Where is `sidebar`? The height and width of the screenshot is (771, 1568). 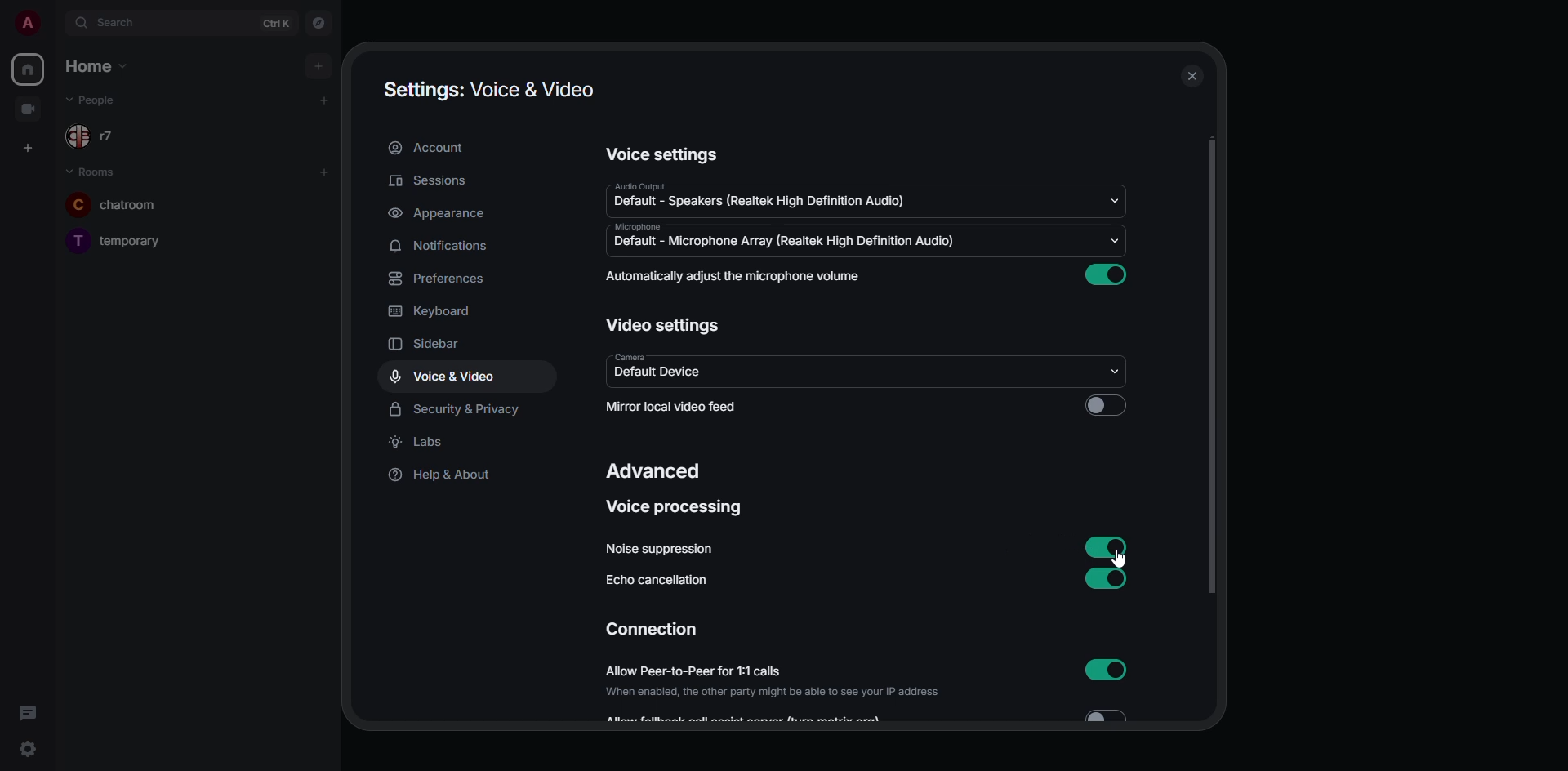 sidebar is located at coordinates (433, 342).